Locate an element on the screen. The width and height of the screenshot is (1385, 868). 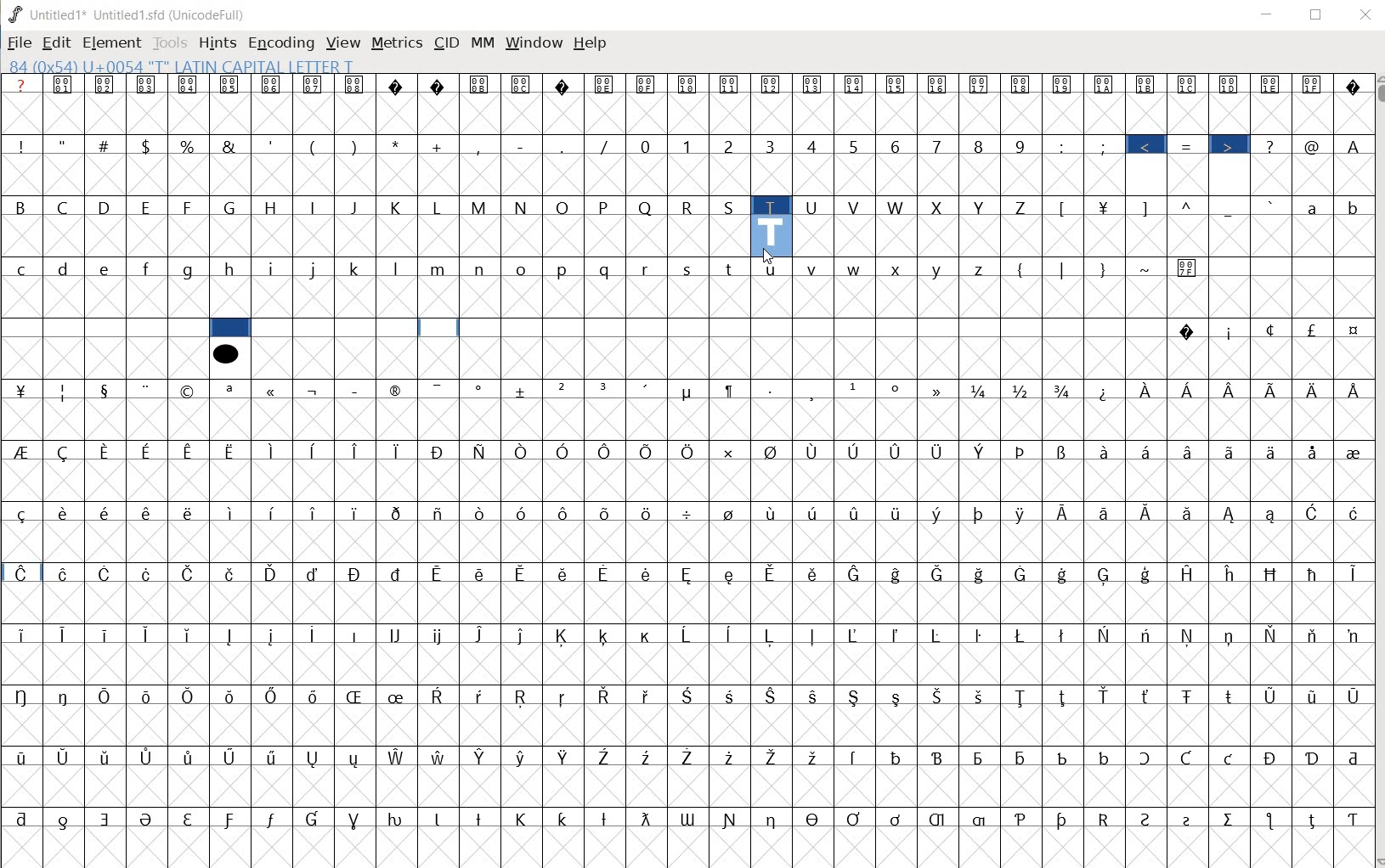
8 is located at coordinates (979, 145).